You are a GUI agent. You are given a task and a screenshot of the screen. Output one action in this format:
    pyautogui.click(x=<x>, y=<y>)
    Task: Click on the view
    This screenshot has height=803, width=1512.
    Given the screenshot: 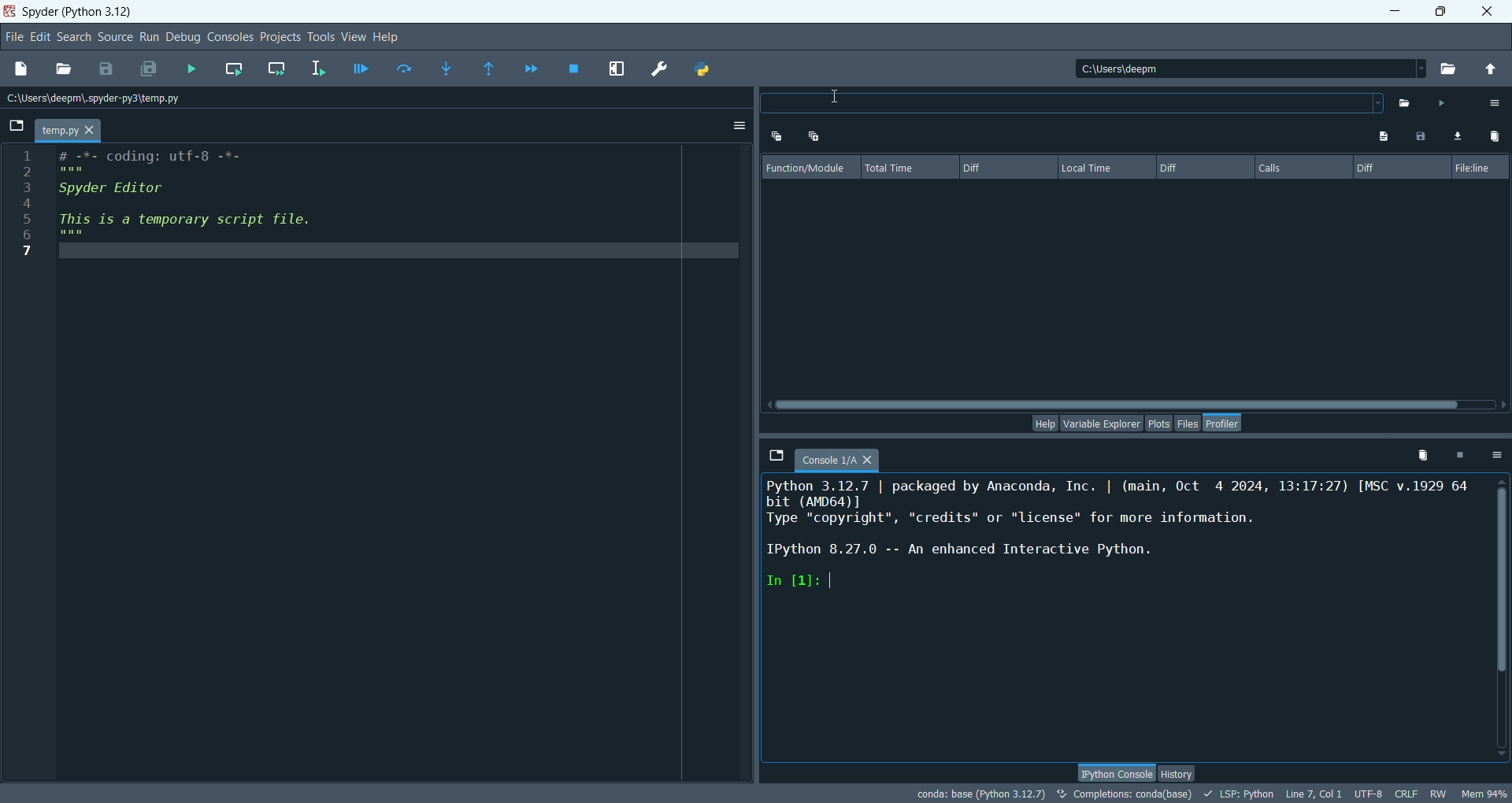 What is the action you would take?
    pyautogui.click(x=354, y=38)
    